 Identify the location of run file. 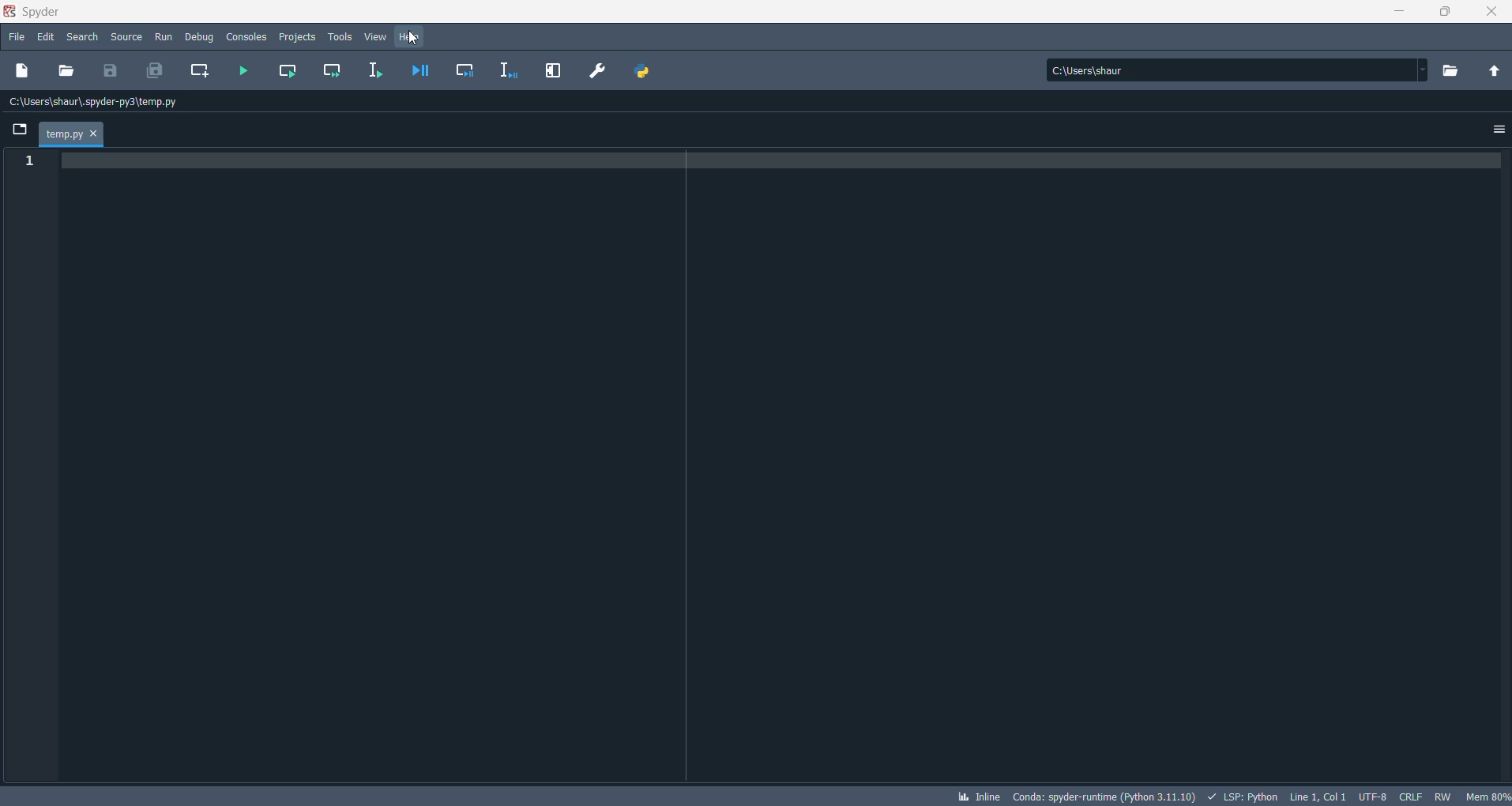
(244, 72).